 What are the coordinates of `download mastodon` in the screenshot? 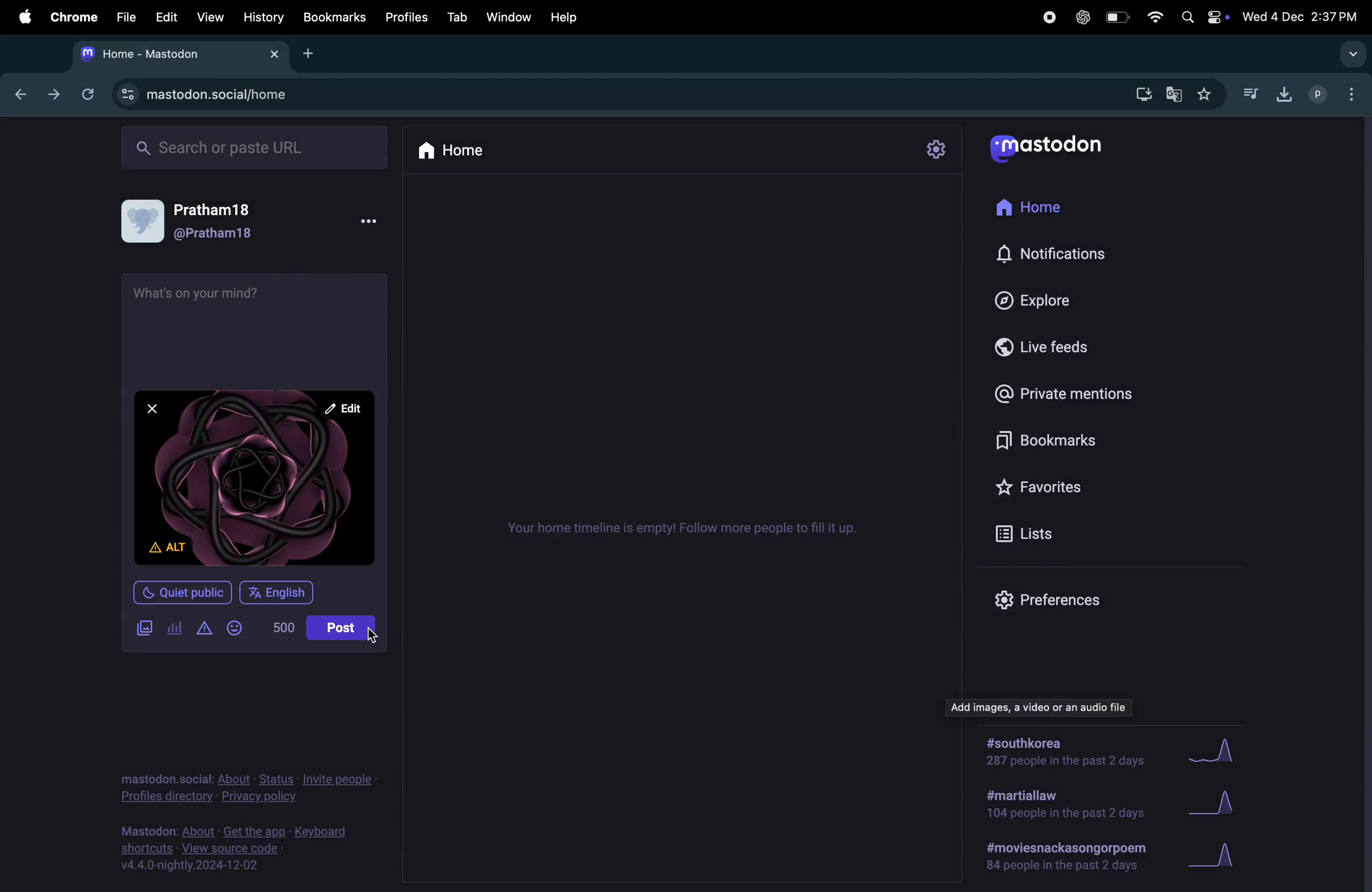 It's located at (1139, 93).